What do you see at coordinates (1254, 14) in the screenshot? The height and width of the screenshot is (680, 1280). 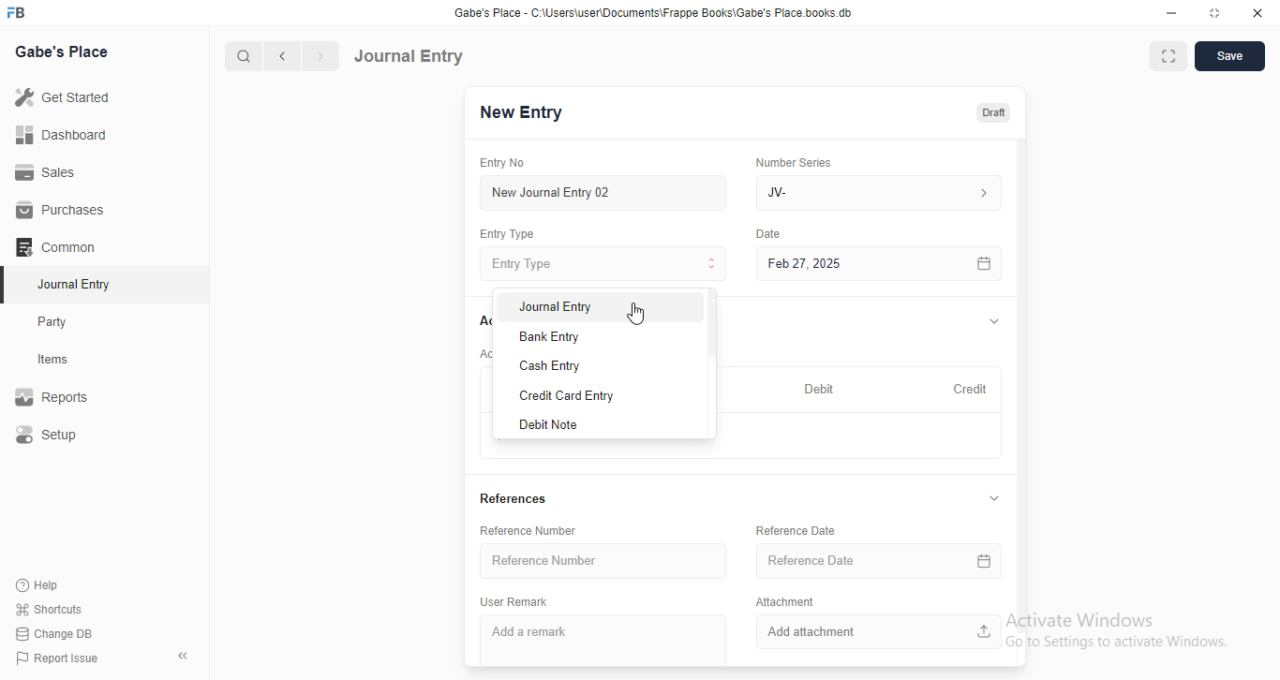 I see `Close` at bounding box center [1254, 14].